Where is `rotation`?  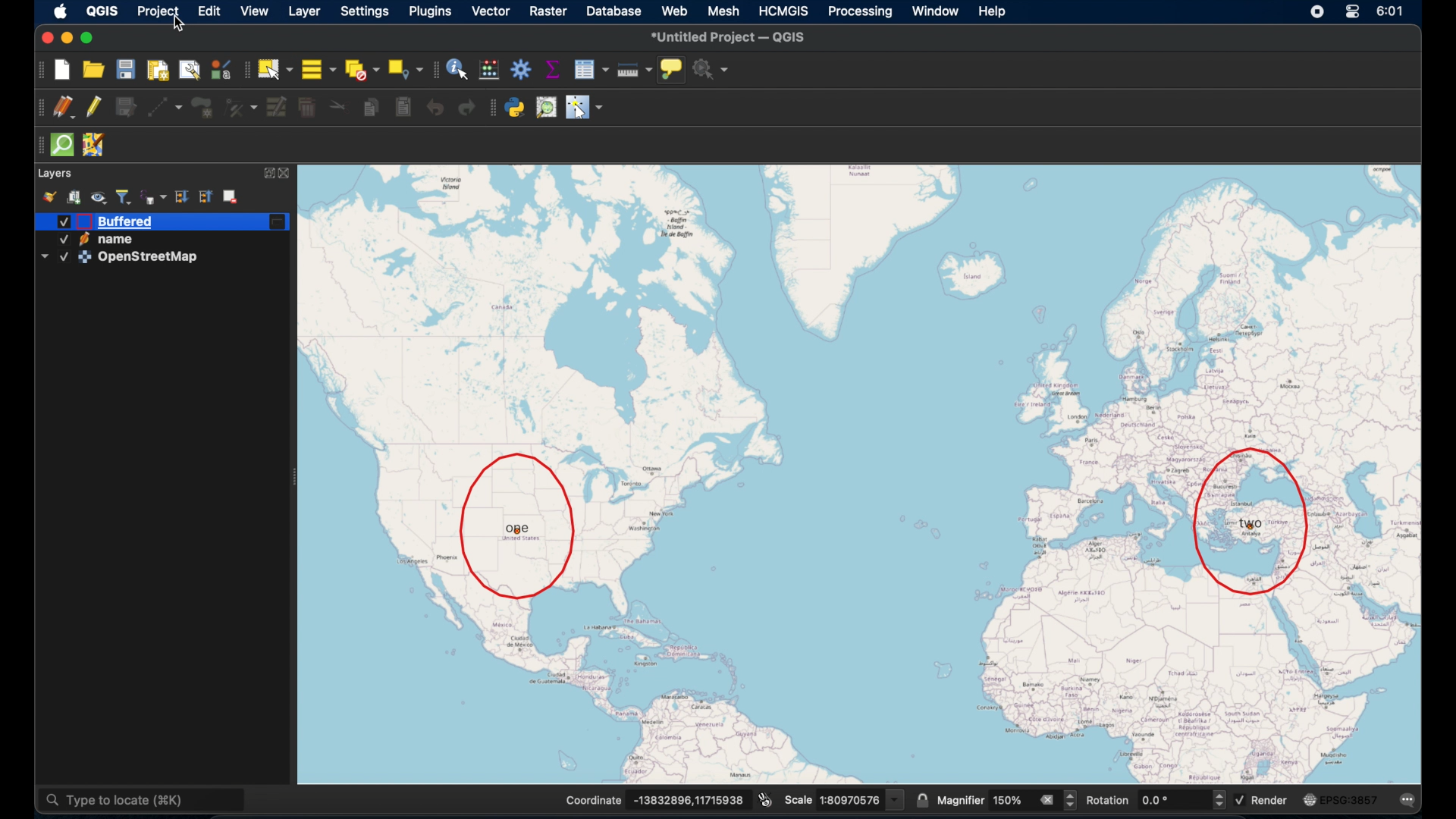
rotation is located at coordinates (1107, 801).